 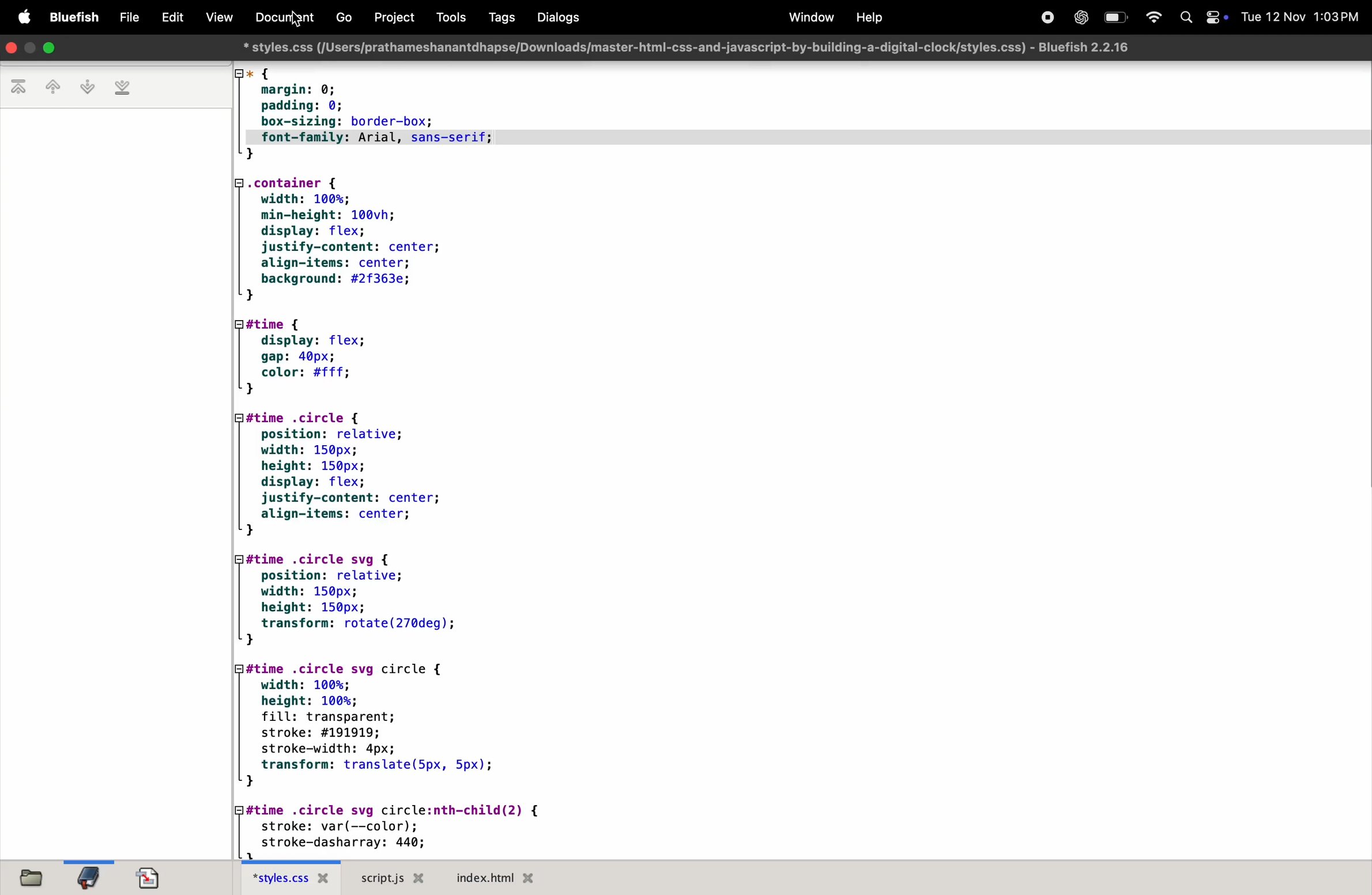 What do you see at coordinates (689, 47) in the screenshot?
I see `* styles.css (/Users/prathameshanantdhapse/Downloads/master-html-css-and-javascript-by-building-a-digital-clock/styles.css) - Bluefish 2.2.16` at bounding box center [689, 47].